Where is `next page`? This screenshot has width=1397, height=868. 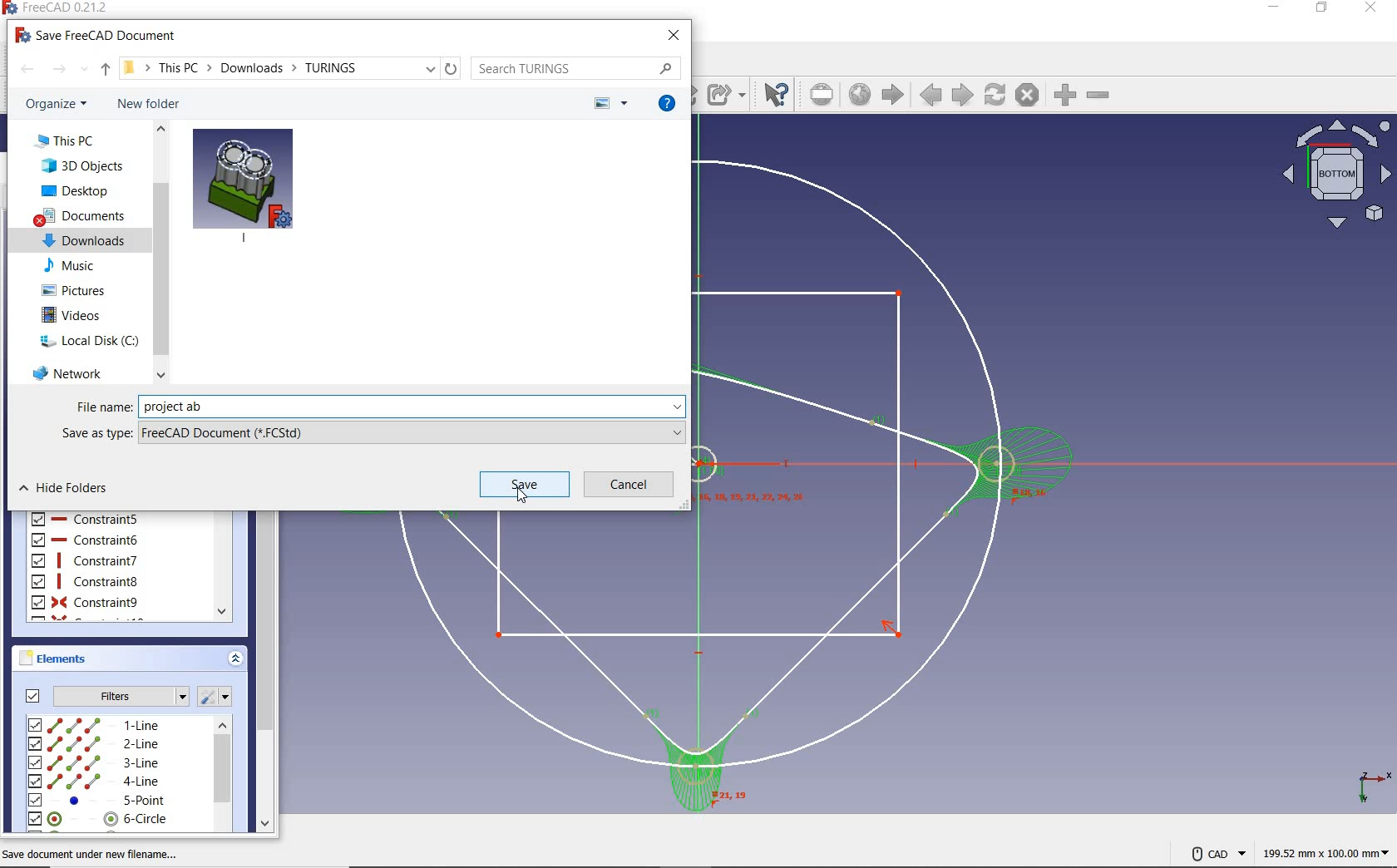 next page is located at coordinates (961, 95).